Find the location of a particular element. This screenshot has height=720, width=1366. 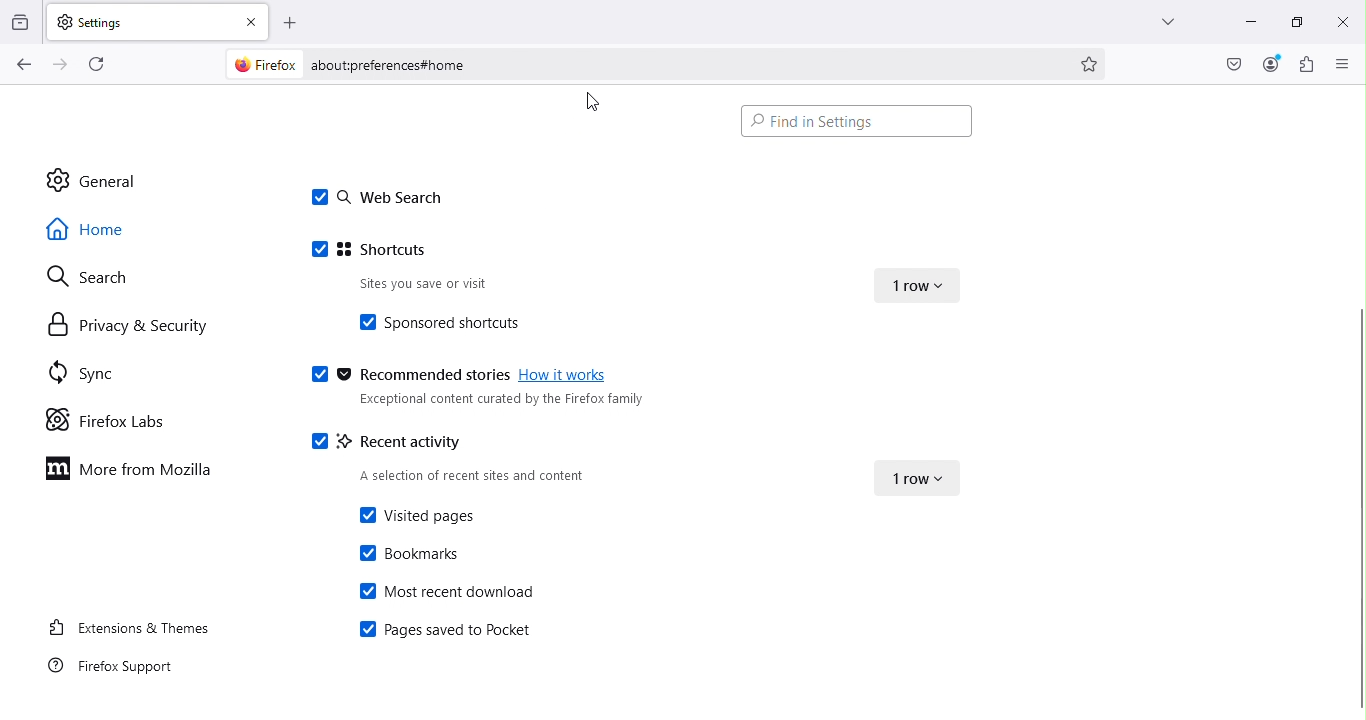

cursor is located at coordinates (593, 105).